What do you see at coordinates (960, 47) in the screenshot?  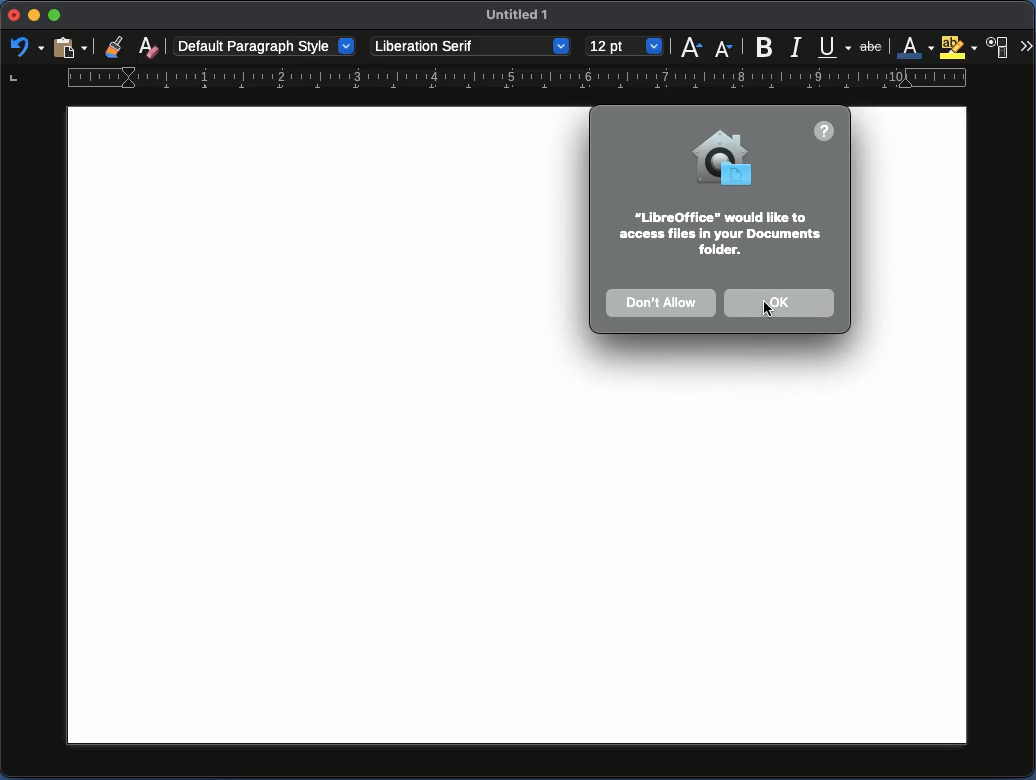 I see `Highlighting` at bounding box center [960, 47].